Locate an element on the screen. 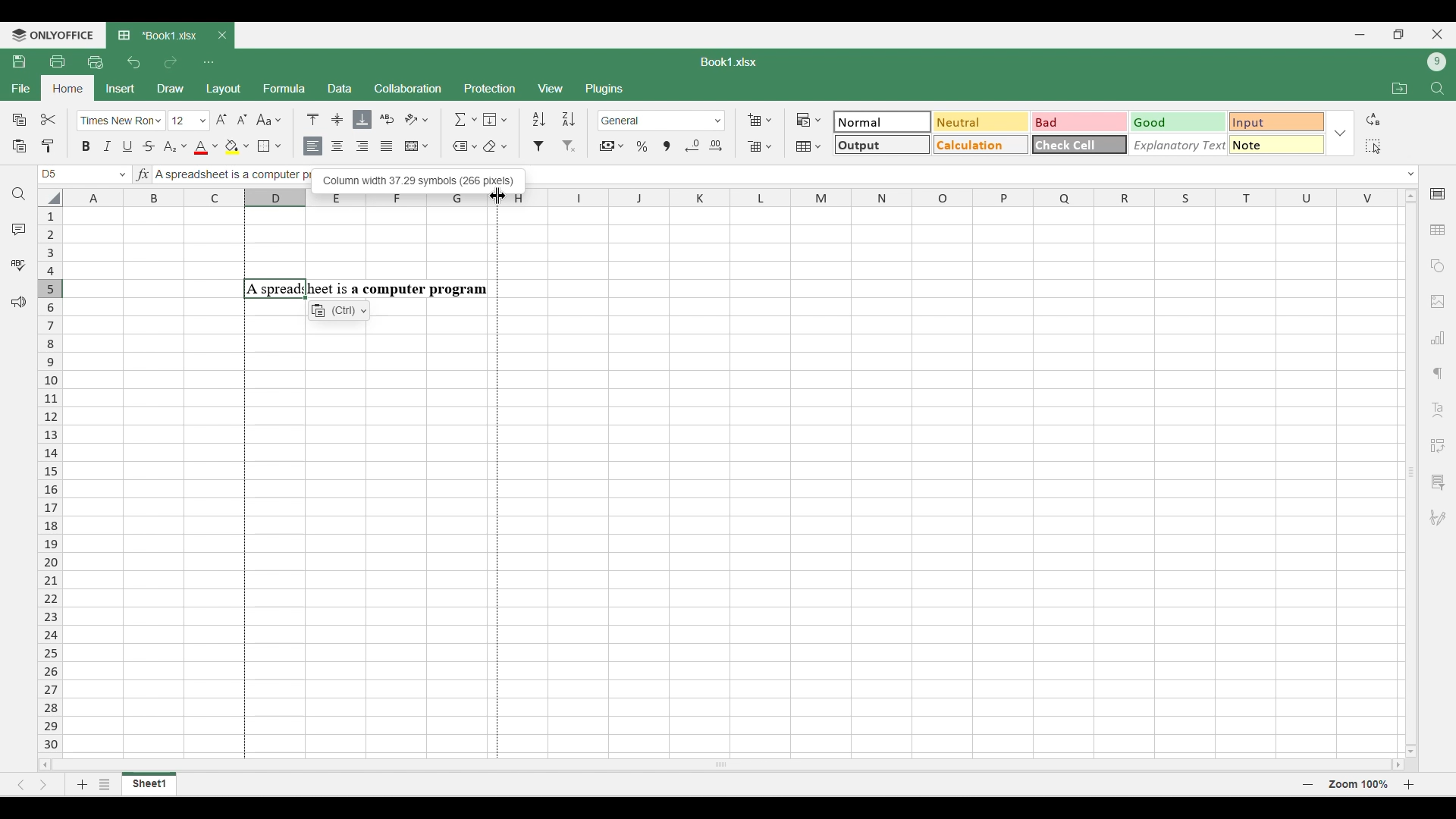  Type in equation is located at coordinates (142, 174).